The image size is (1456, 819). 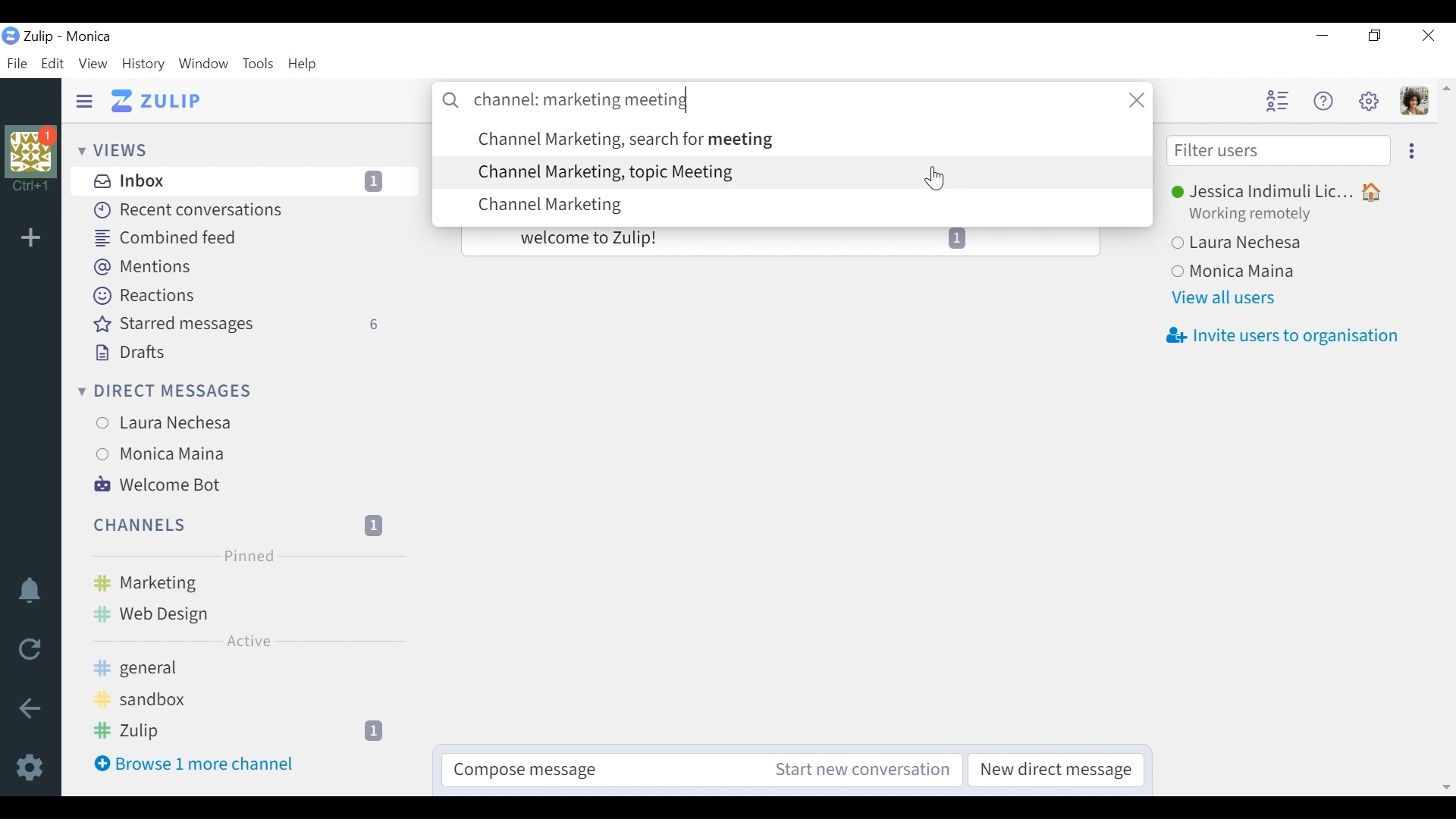 What do you see at coordinates (1260, 213) in the screenshot?
I see `Working remotely` at bounding box center [1260, 213].